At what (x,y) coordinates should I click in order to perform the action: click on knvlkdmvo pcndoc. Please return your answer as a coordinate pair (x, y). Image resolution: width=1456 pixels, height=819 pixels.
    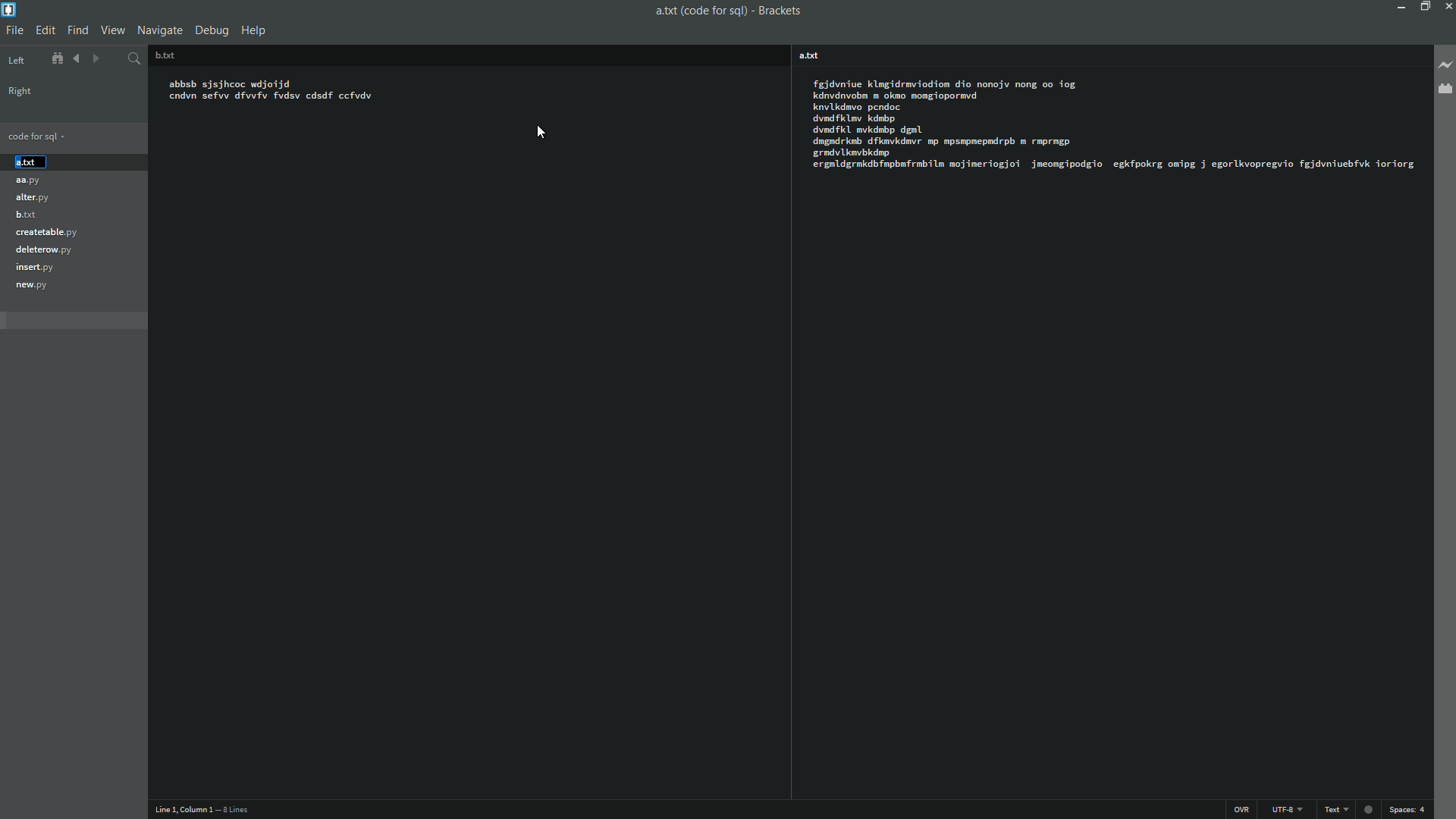
    Looking at the image, I should click on (857, 106).